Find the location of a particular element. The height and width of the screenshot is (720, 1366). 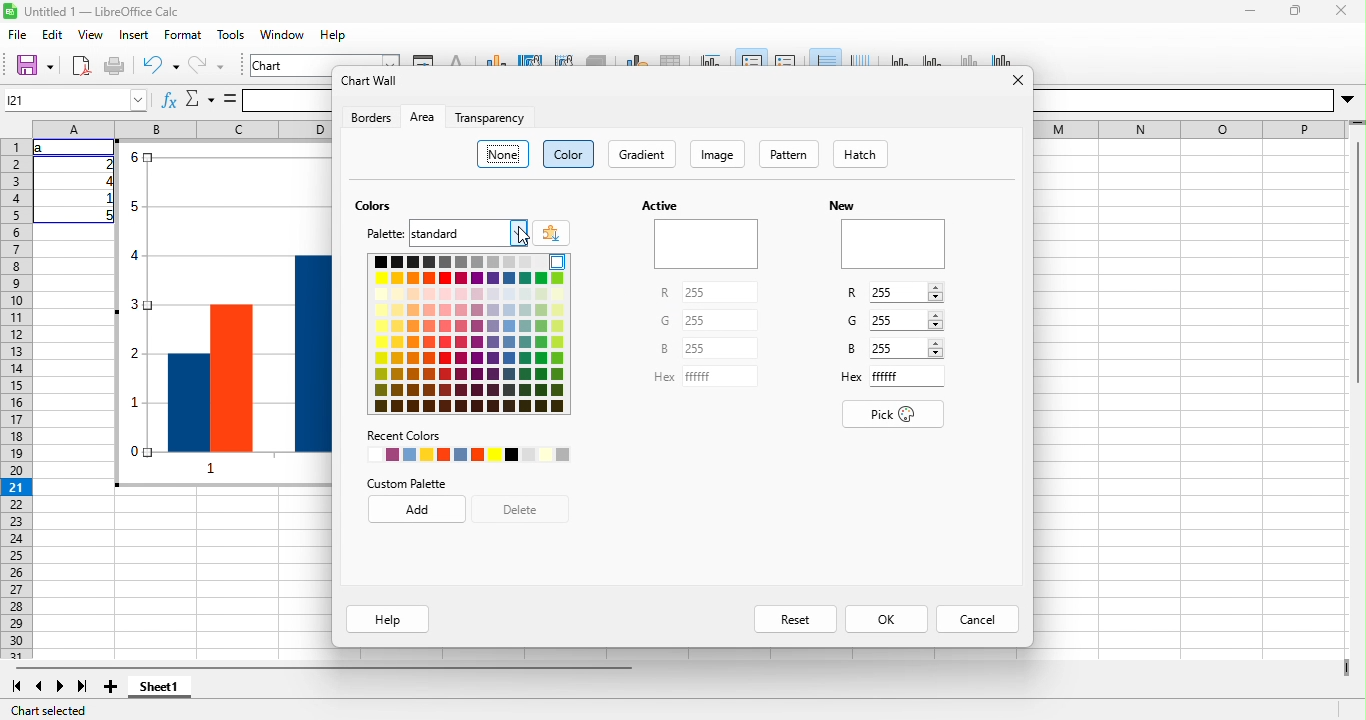

column headings is located at coordinates (182, 129).